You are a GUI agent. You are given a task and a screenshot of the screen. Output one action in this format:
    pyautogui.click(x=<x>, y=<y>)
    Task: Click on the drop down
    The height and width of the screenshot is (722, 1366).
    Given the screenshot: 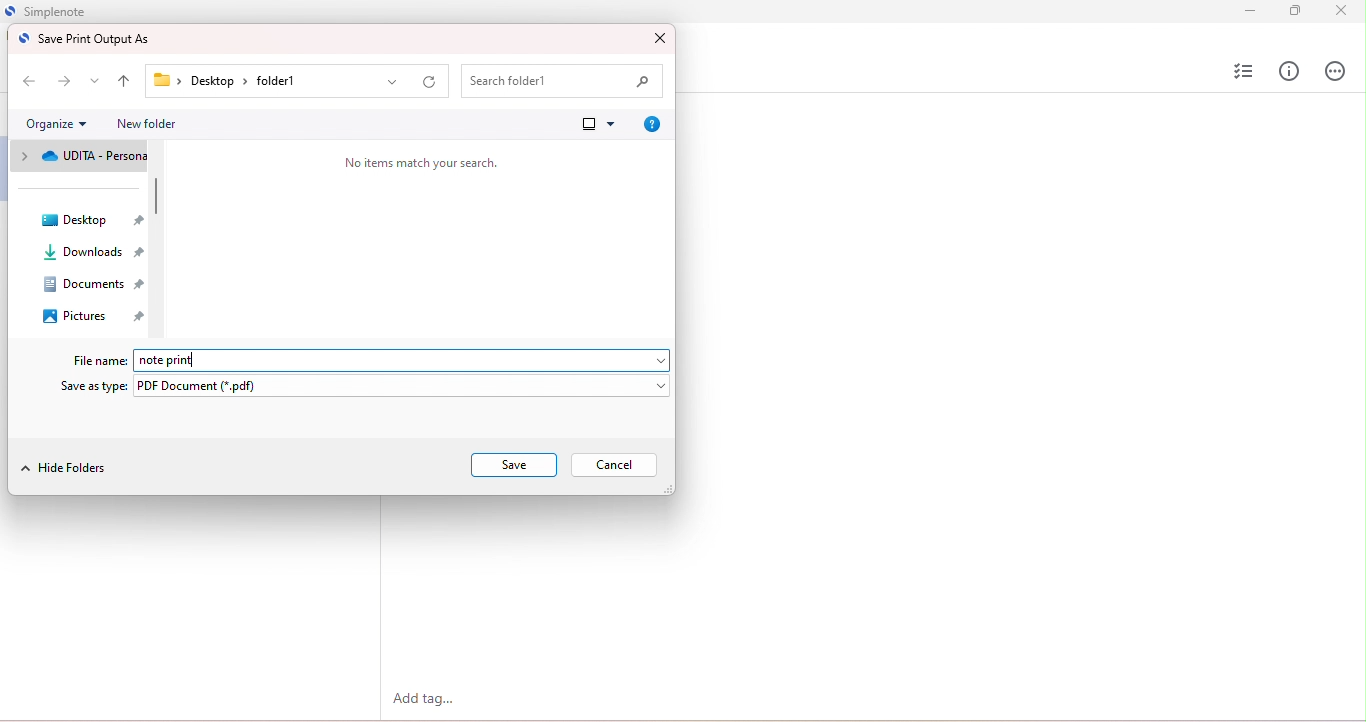 What is the action you would take?
    pyautogui.click(x=96, y=81)
    